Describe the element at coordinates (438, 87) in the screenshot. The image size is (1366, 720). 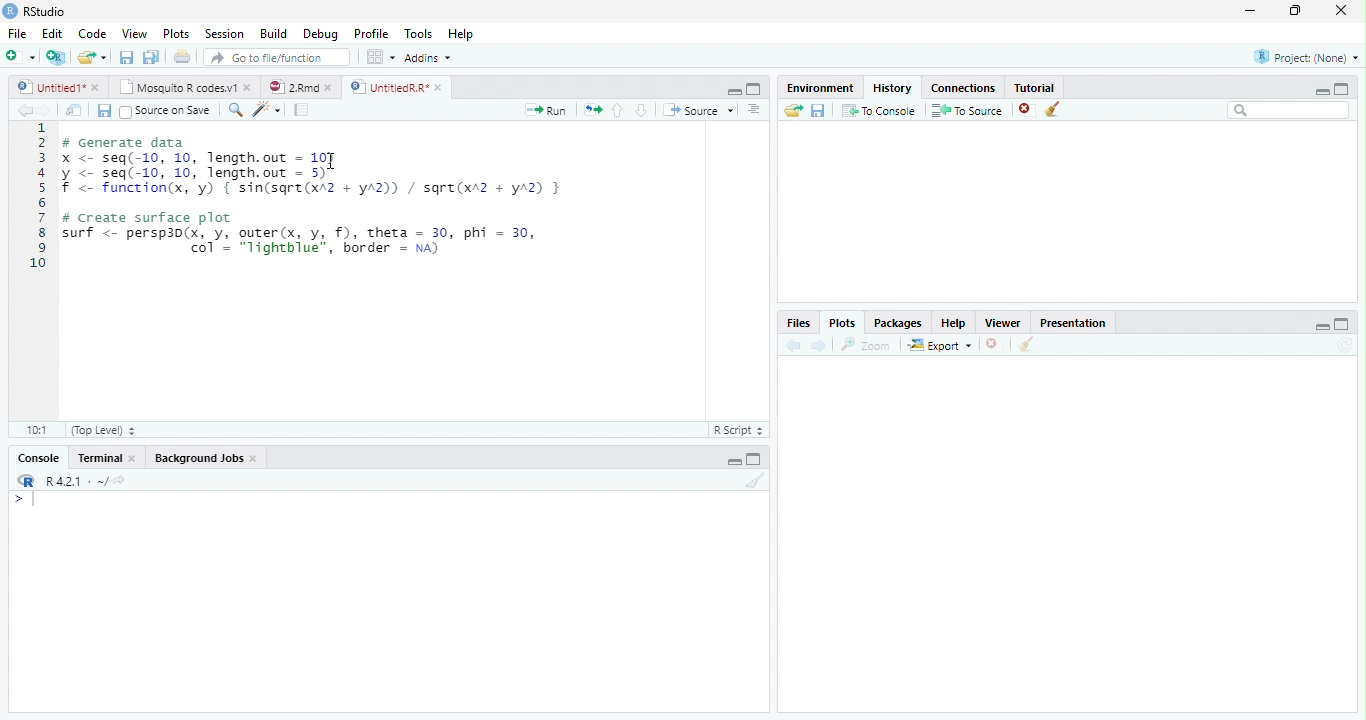
I see `close` at that location.